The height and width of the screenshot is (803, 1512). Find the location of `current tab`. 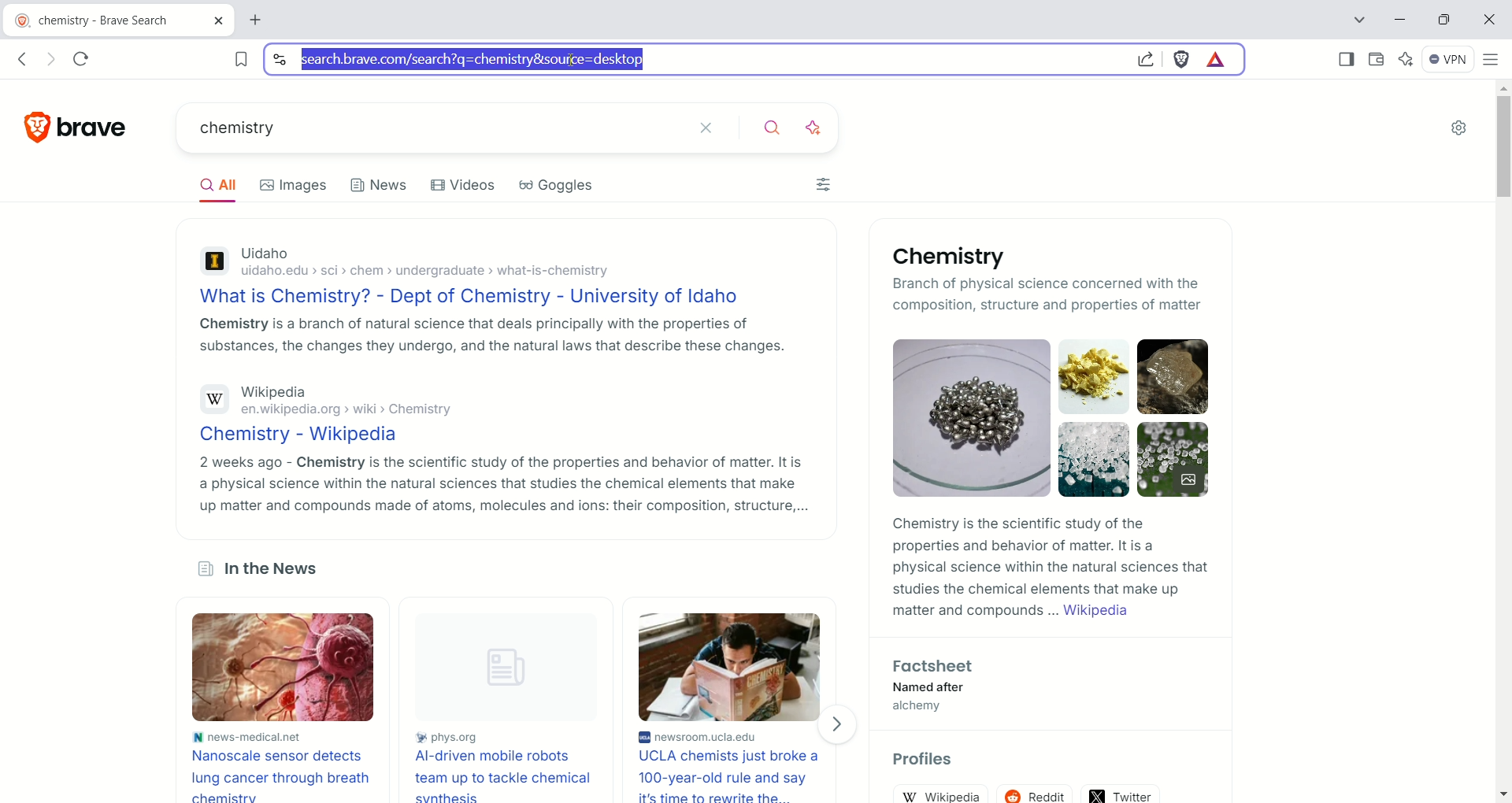

current tab is located at coordinates (261, 20).